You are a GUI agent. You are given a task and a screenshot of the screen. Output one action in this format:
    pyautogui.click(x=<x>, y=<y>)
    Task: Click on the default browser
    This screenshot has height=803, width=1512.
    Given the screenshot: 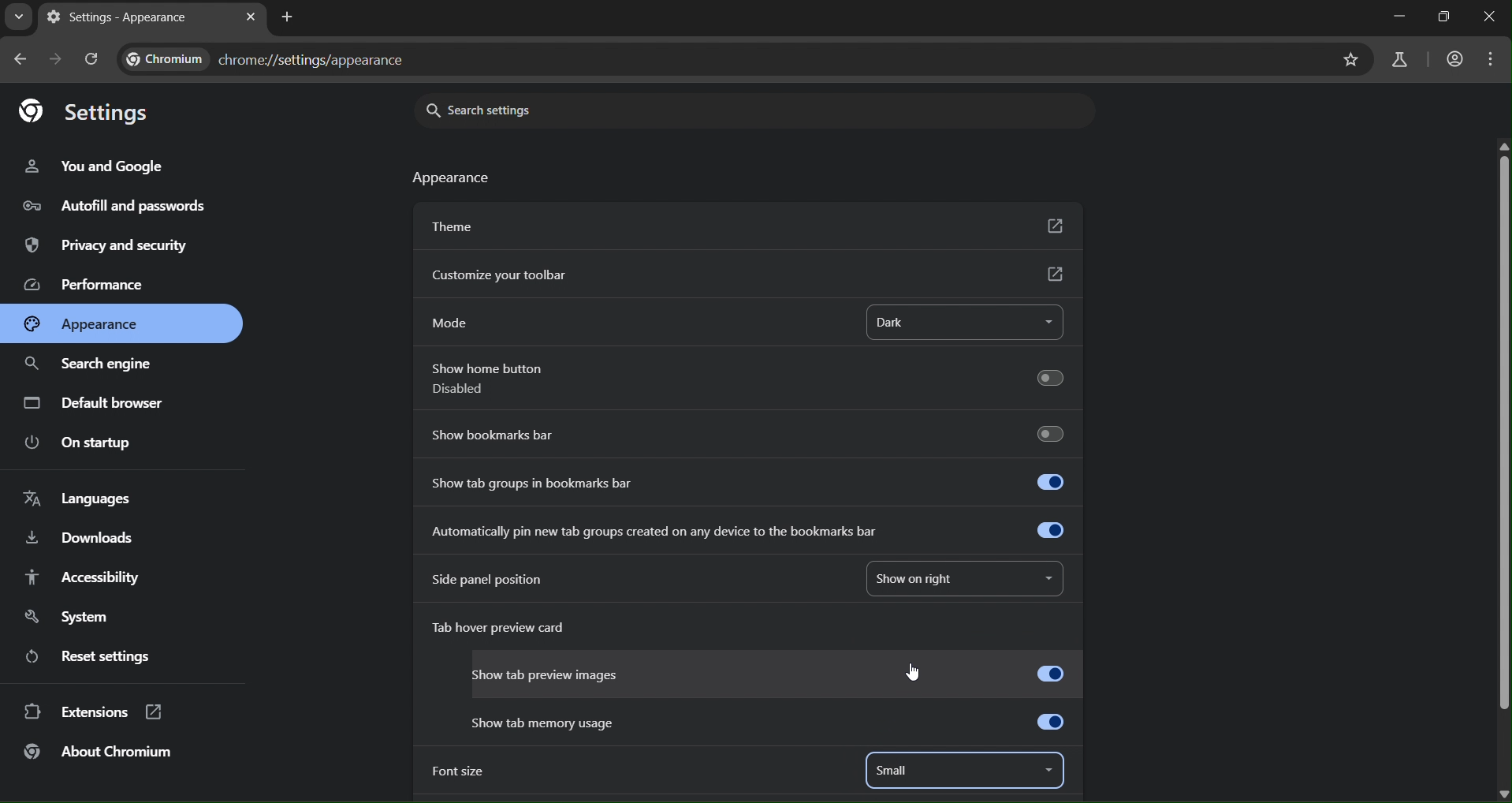 What is the action you would take?
    pyautogui.click(x=100, y=405)
    